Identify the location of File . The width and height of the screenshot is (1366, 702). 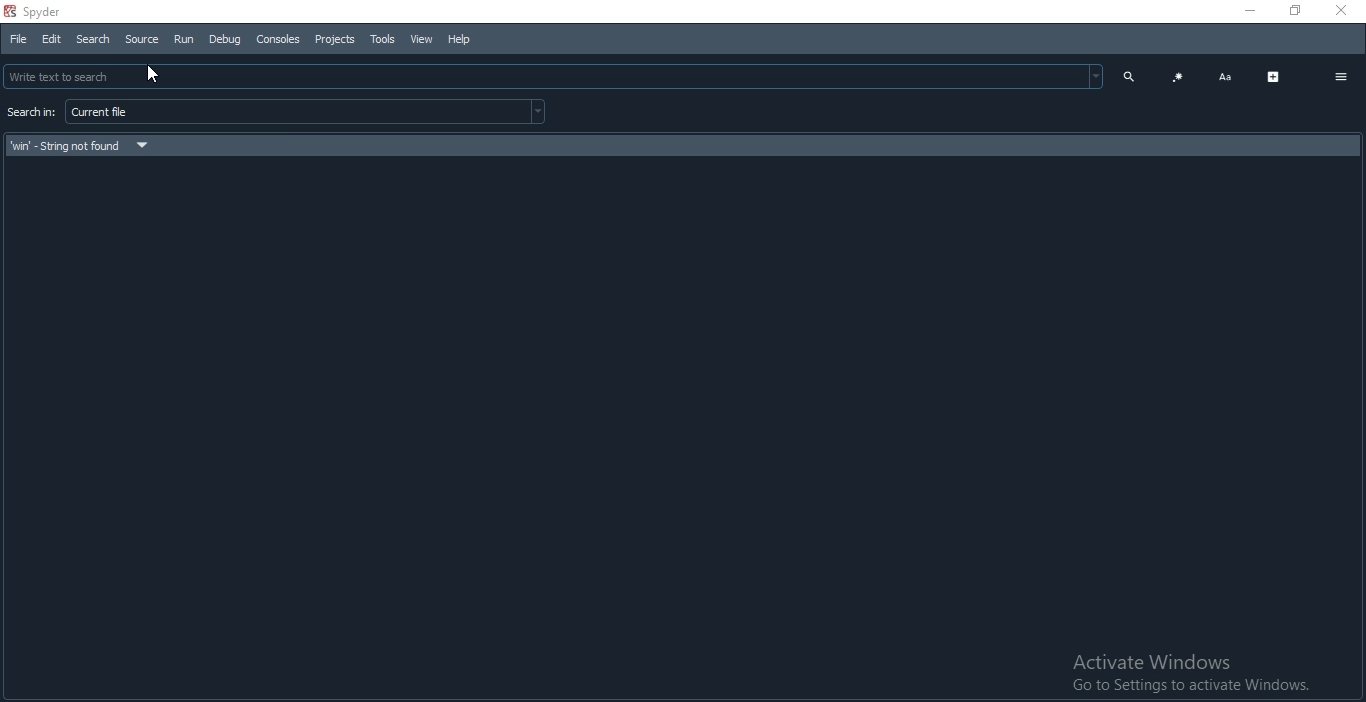
(20, 40).